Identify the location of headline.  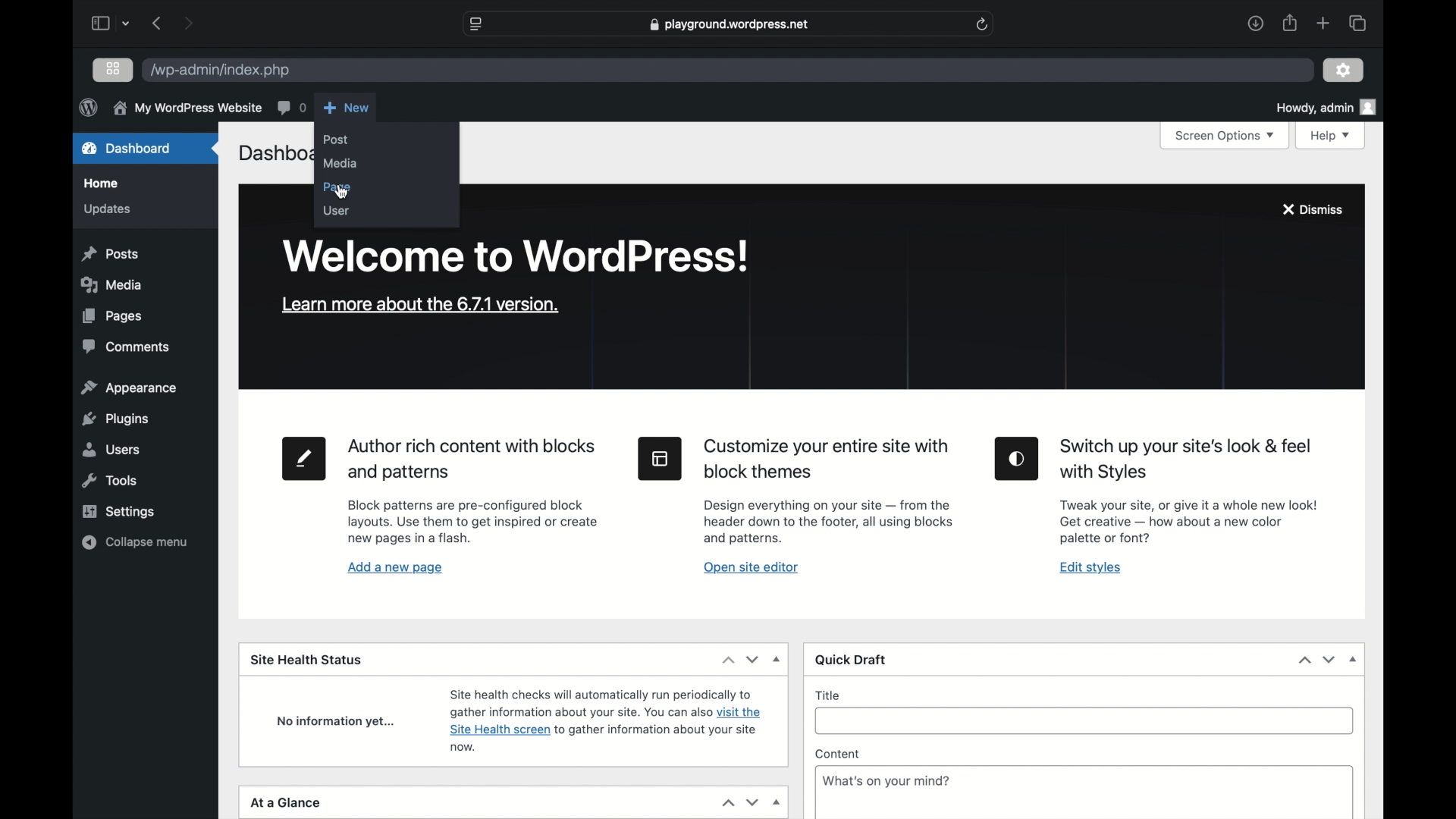
(827, 459).